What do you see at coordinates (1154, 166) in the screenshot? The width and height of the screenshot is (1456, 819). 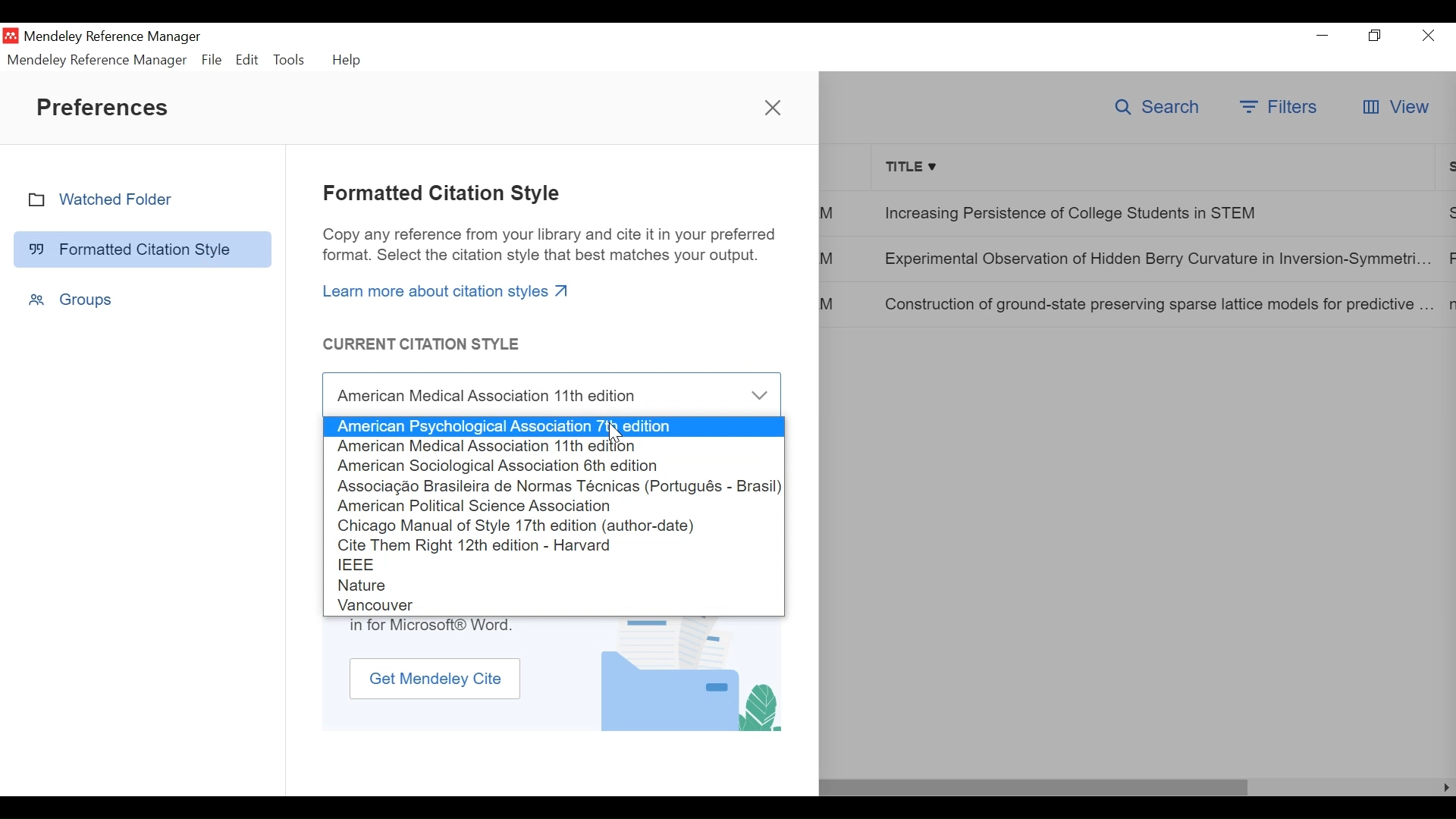 I see `Title` at bounding box center [1154, 166].